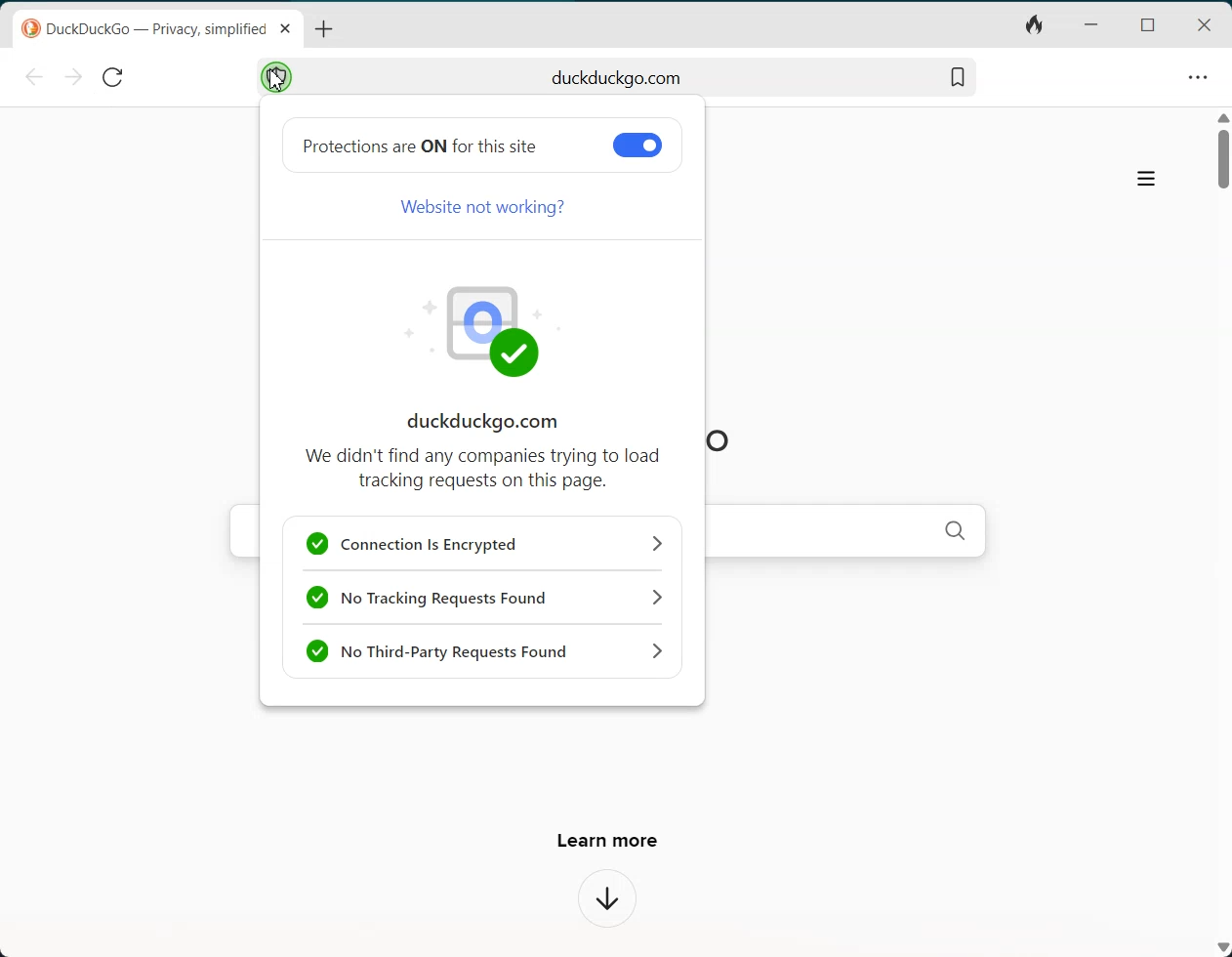 This screenshot has height=957, width=1232. I want to click on Shield protected, so click(275, 76).